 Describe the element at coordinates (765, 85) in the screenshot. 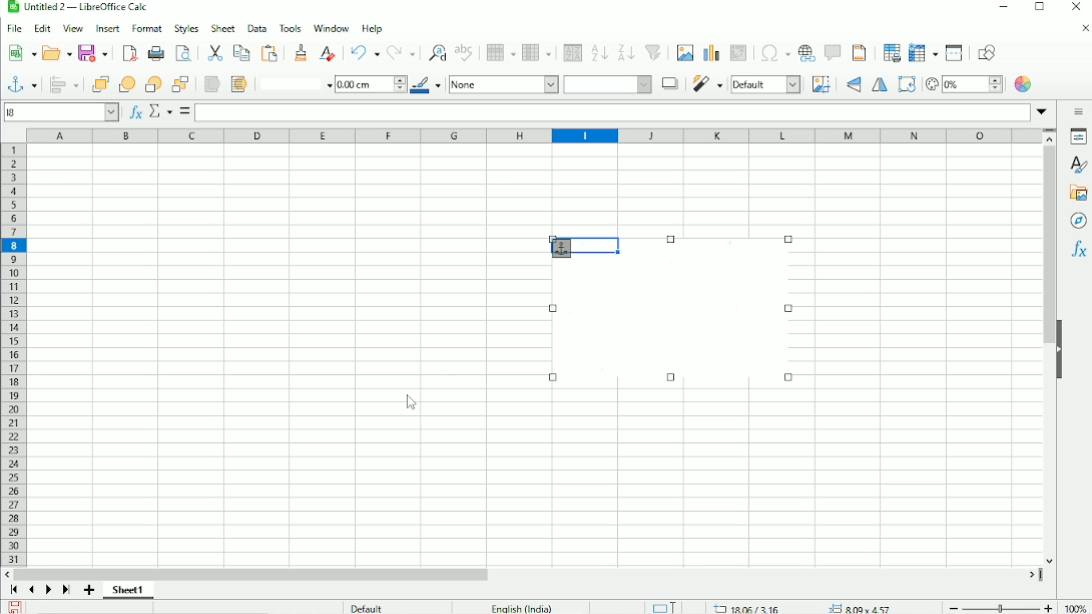

I see `Default` at that location.